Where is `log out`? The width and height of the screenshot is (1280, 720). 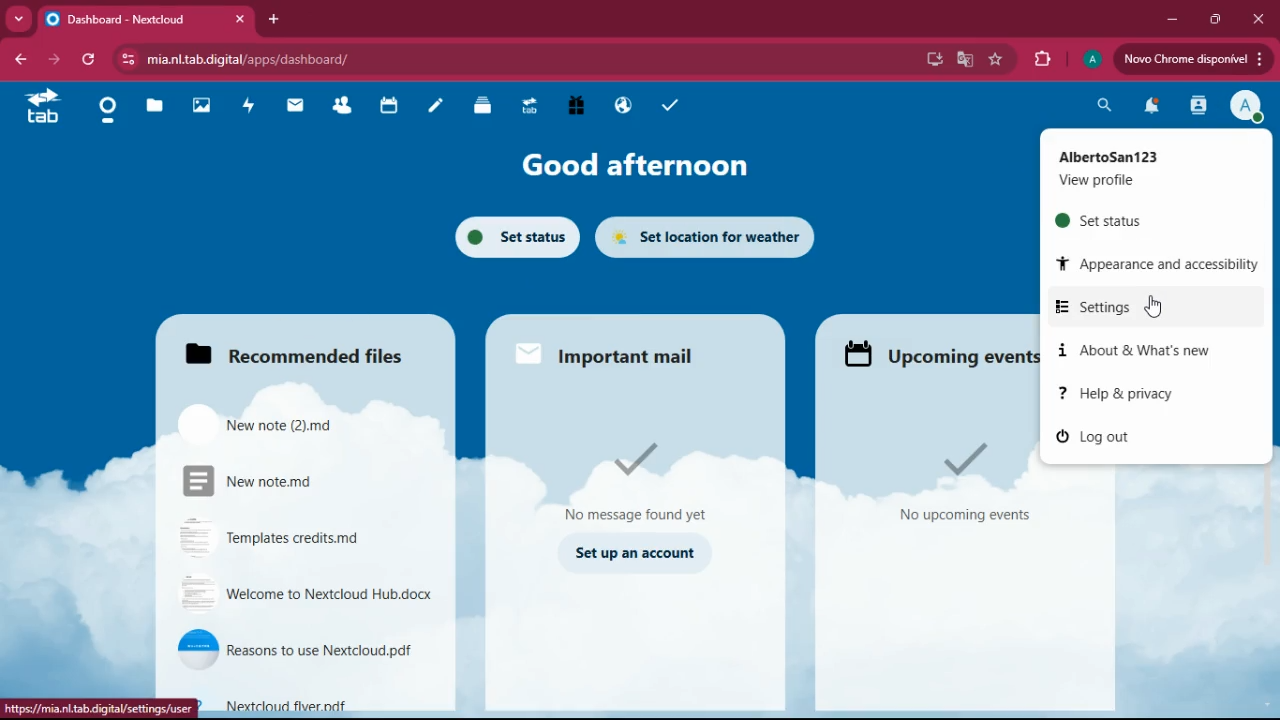 log out is located at coordinates (1108, 438).